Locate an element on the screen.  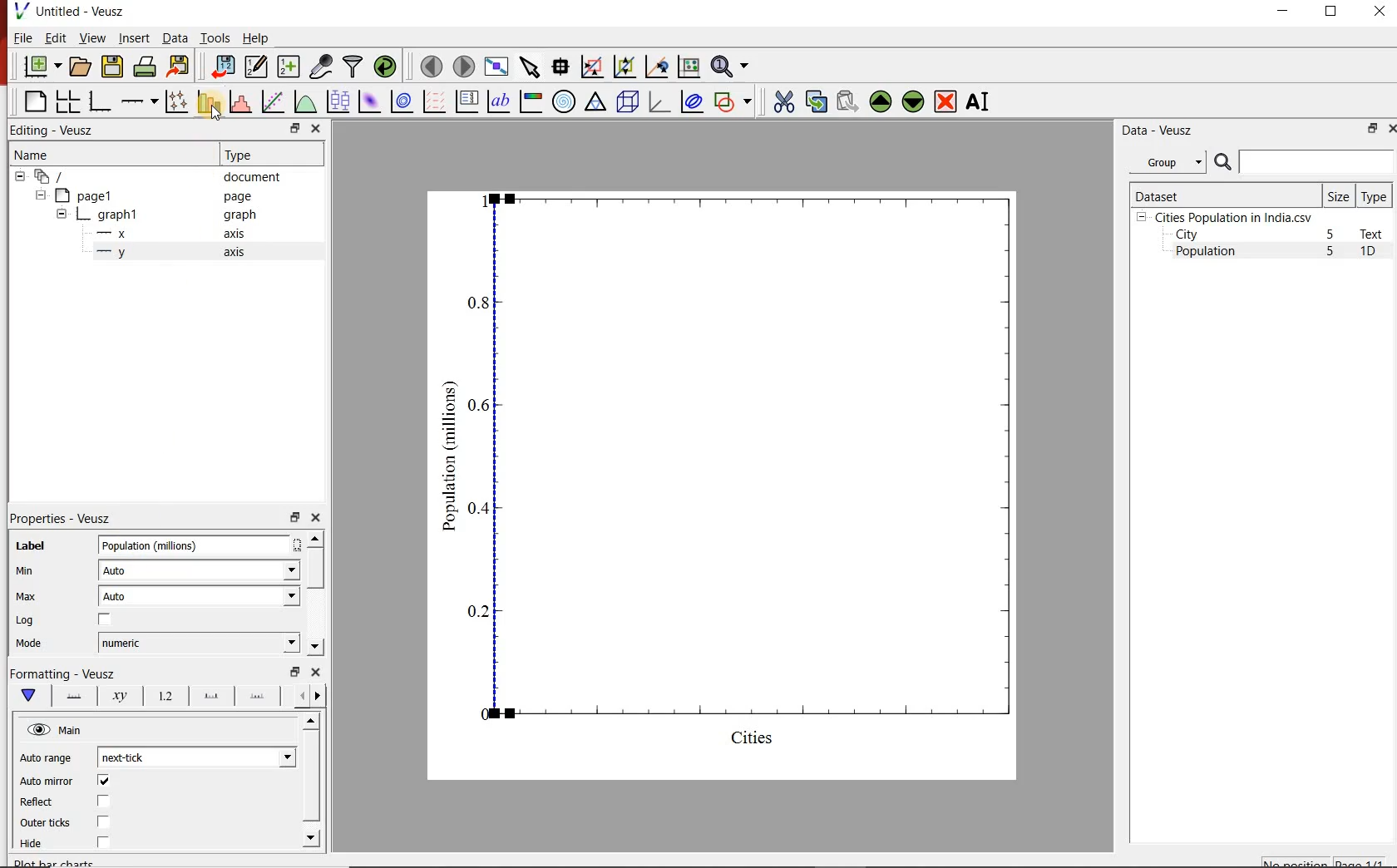
restore is located at coordinates (294, 672).